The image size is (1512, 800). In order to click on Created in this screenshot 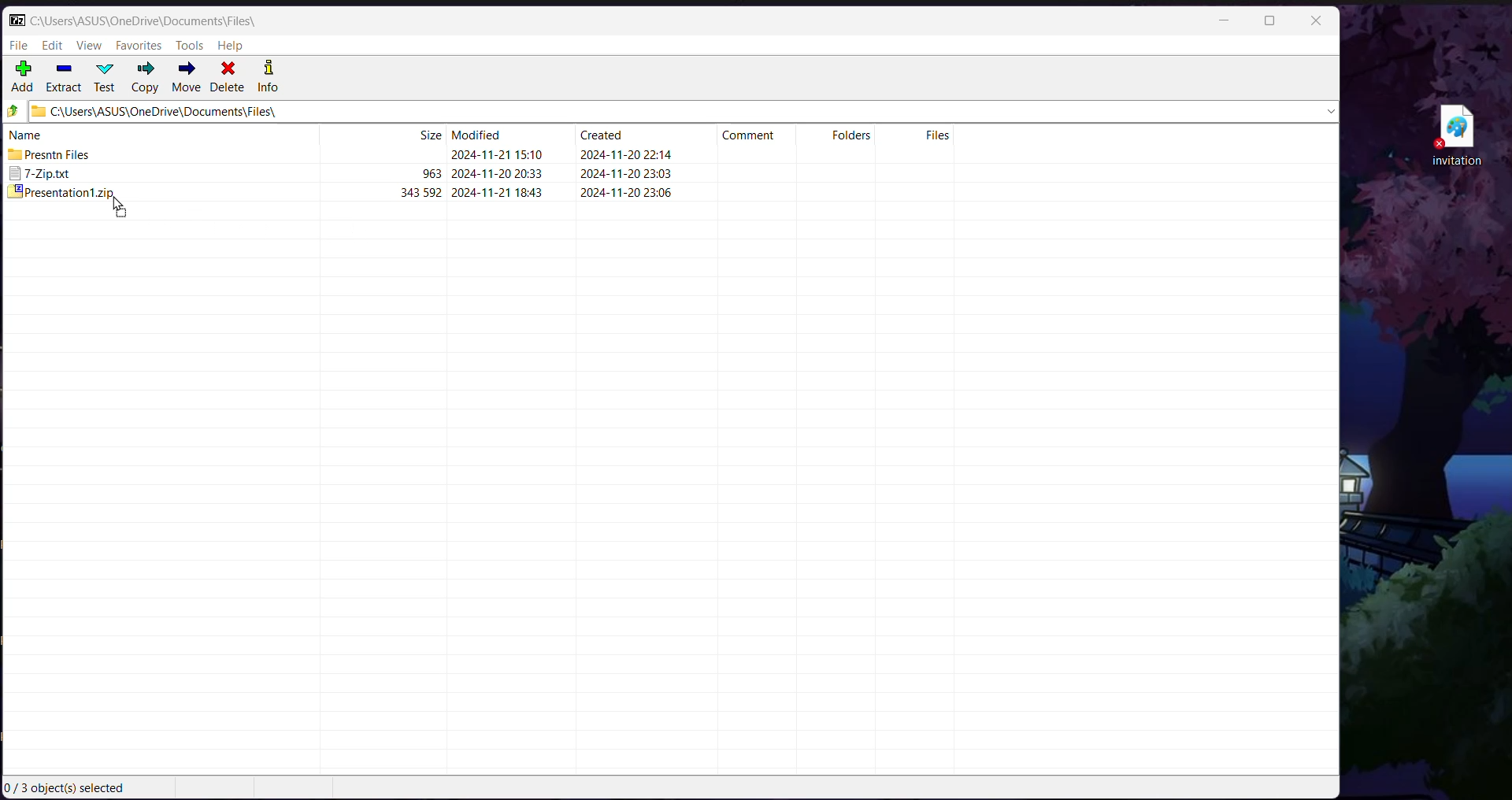, I will do `click(605, 131)`.